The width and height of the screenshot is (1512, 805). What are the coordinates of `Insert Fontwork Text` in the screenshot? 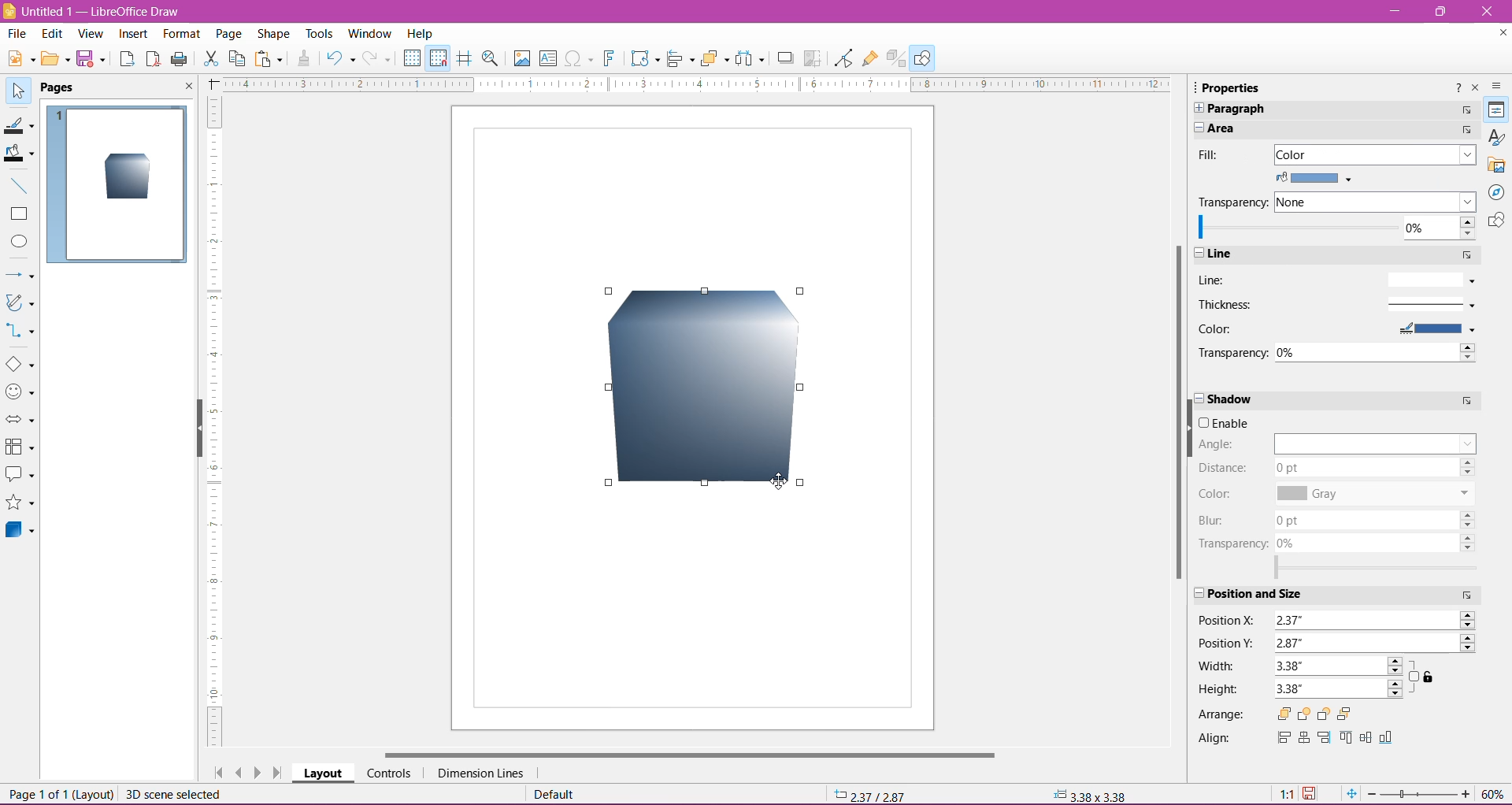 It's located at (610, 58).